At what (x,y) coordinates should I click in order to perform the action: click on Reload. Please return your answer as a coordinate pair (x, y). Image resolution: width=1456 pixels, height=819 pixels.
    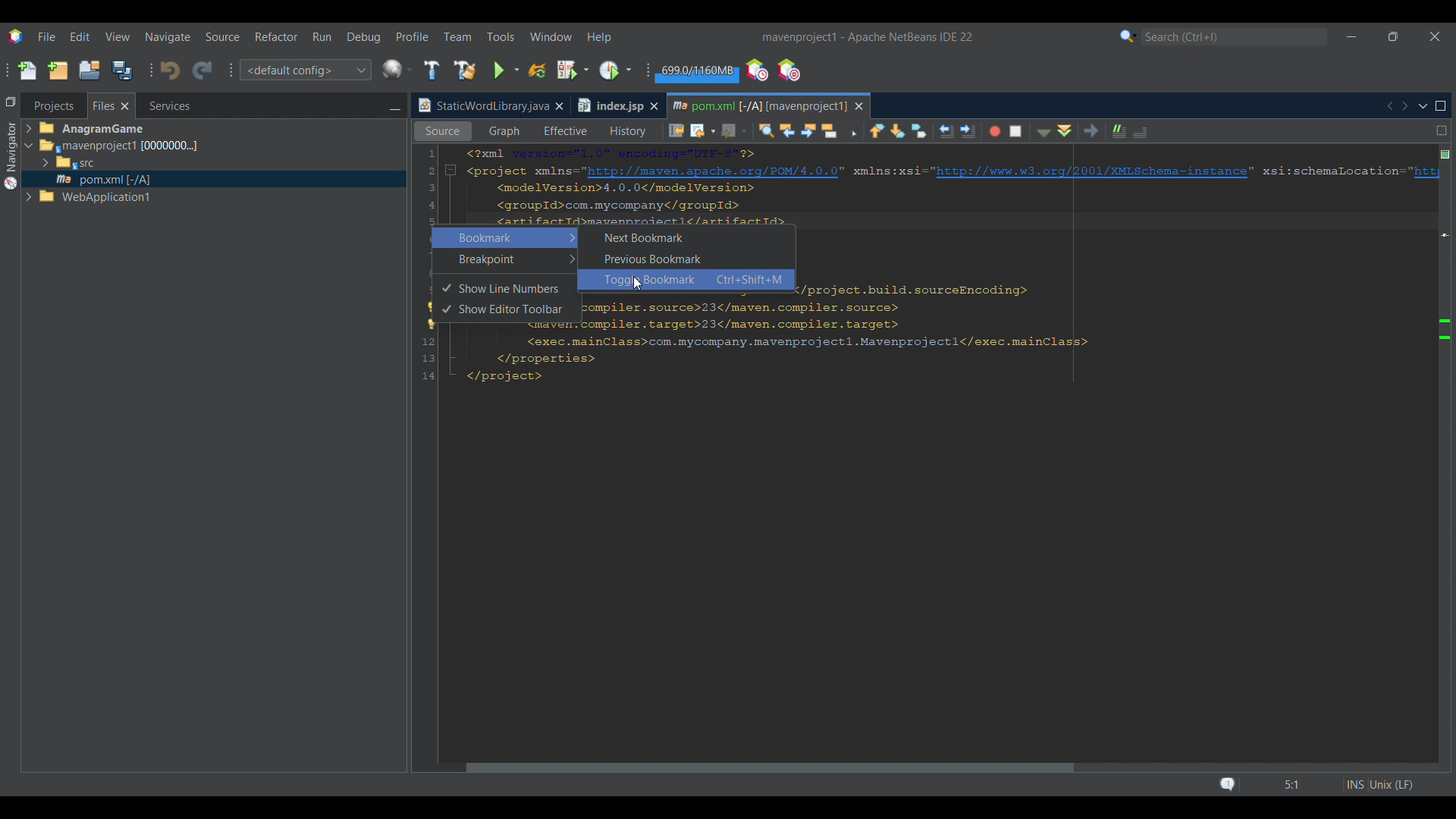
    Looking at the image, I should click on (538, 71).